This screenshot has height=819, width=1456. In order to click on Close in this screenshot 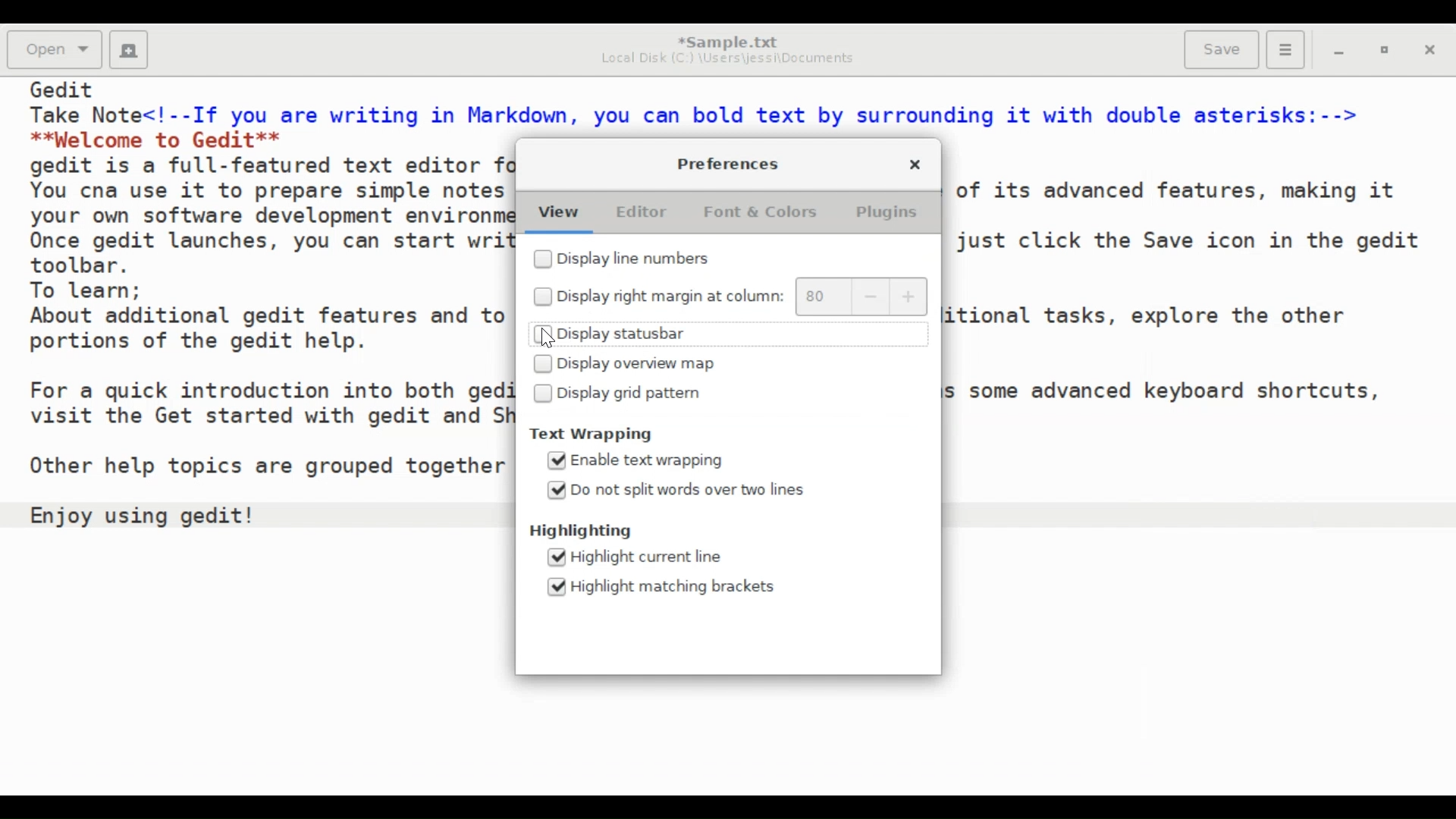, I will do `click(915, 165)`.